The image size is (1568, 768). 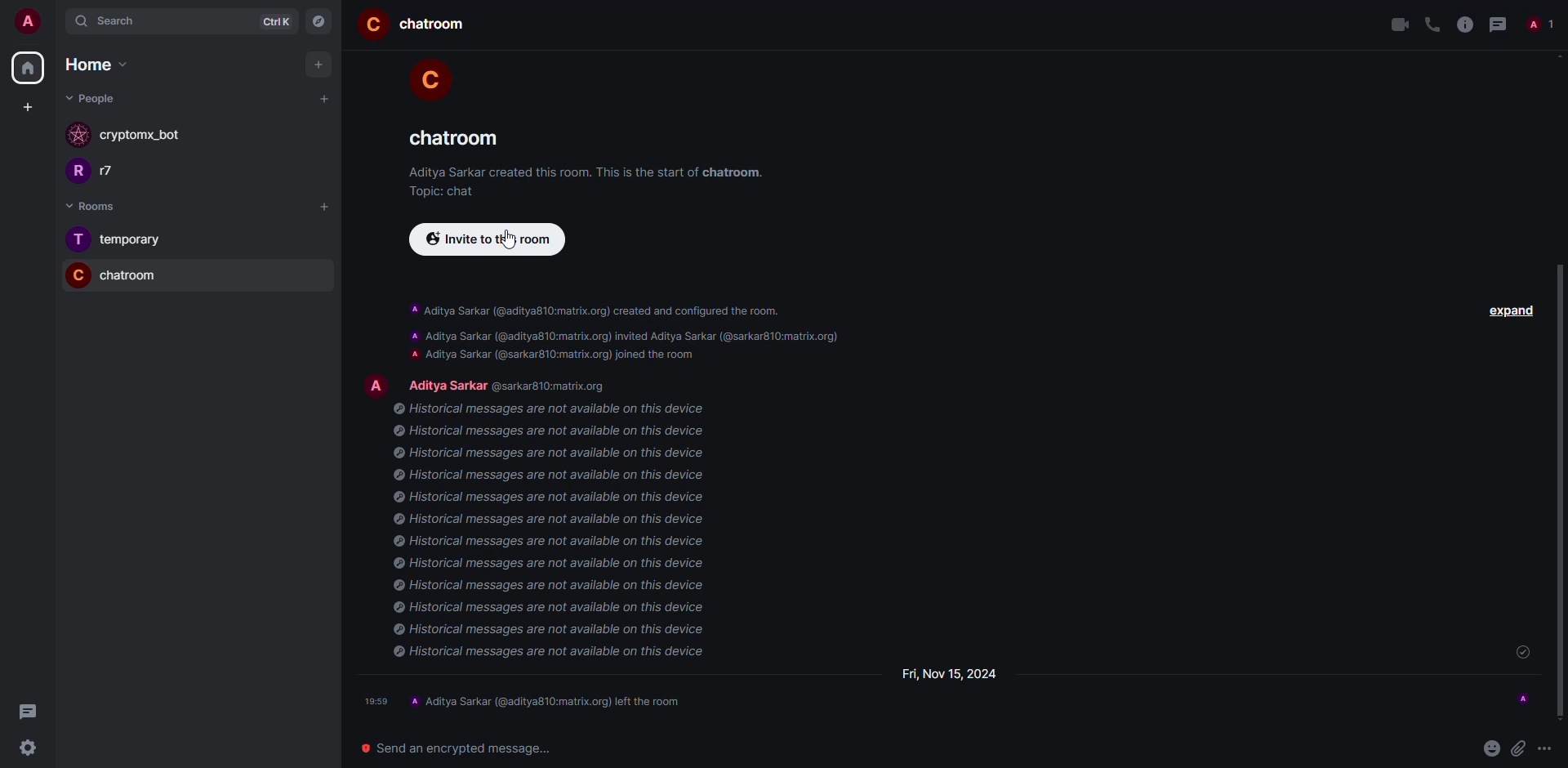 I want to click on profile, so click(x=426, y=76).